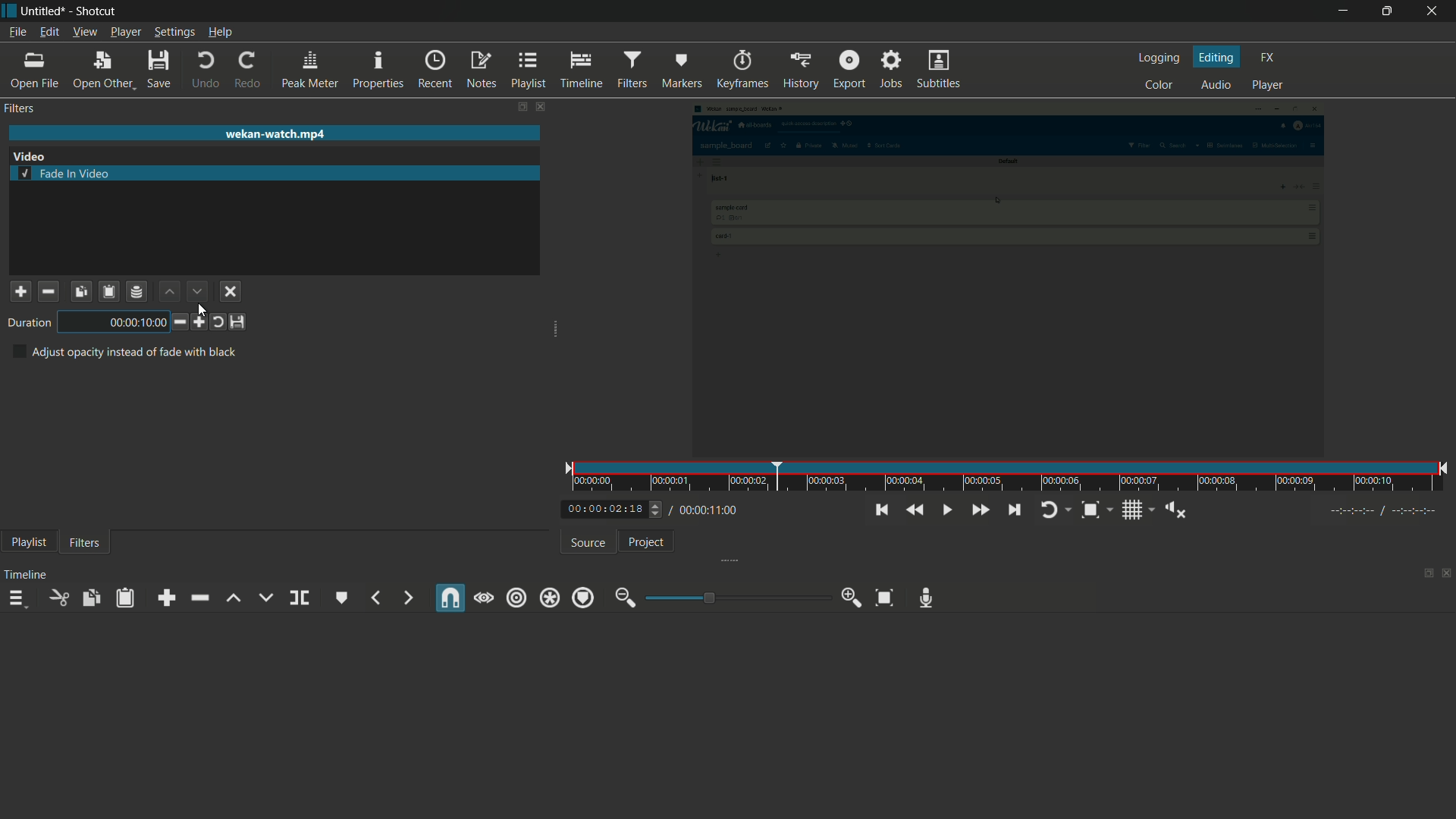 The image size is (1456, 819). What do you see at coordinates (997, 276) in the screenshot?
I see `filter applied to video` at bounding box center [997, 276].